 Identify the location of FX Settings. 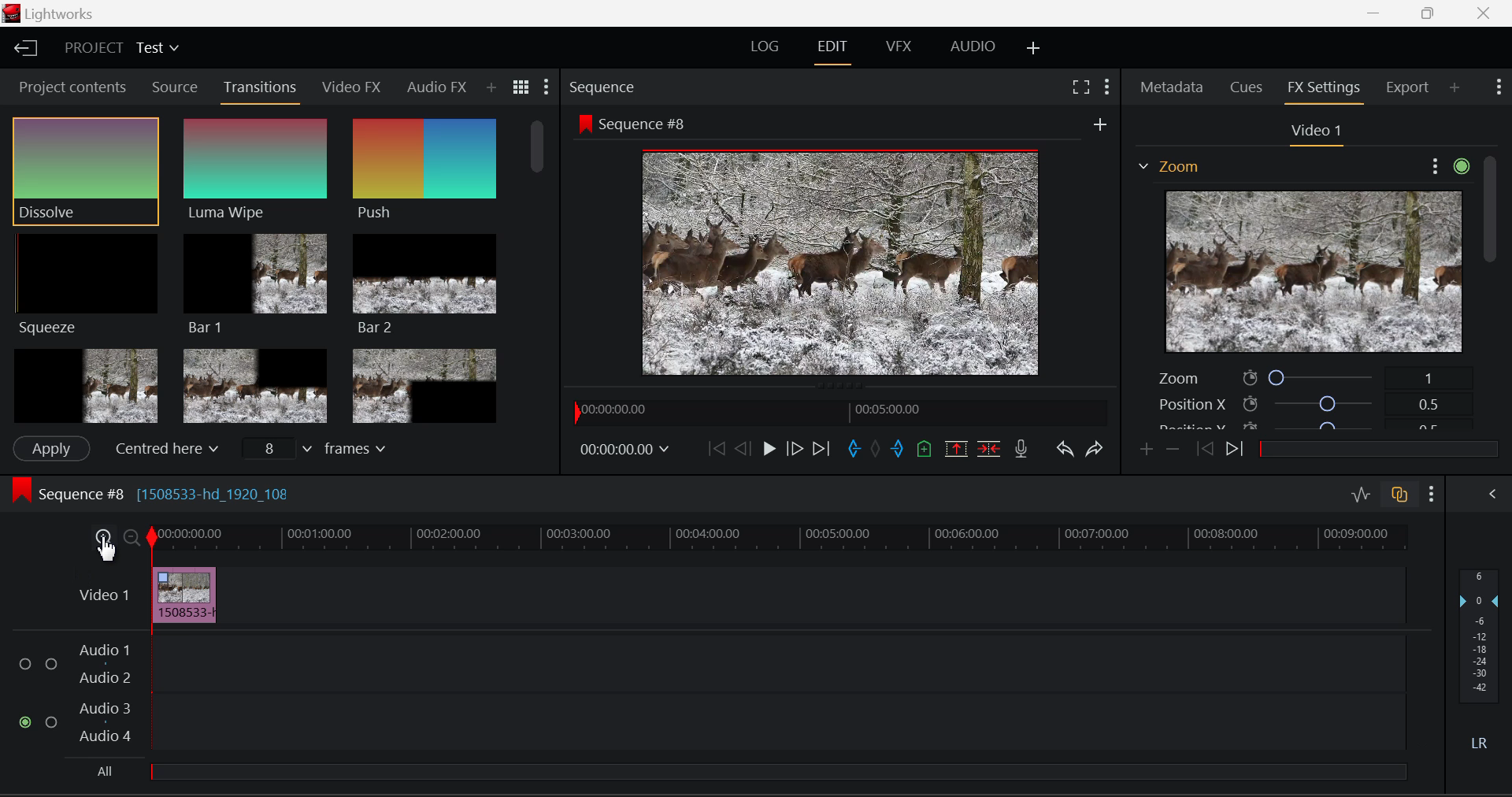
(1325, 89).